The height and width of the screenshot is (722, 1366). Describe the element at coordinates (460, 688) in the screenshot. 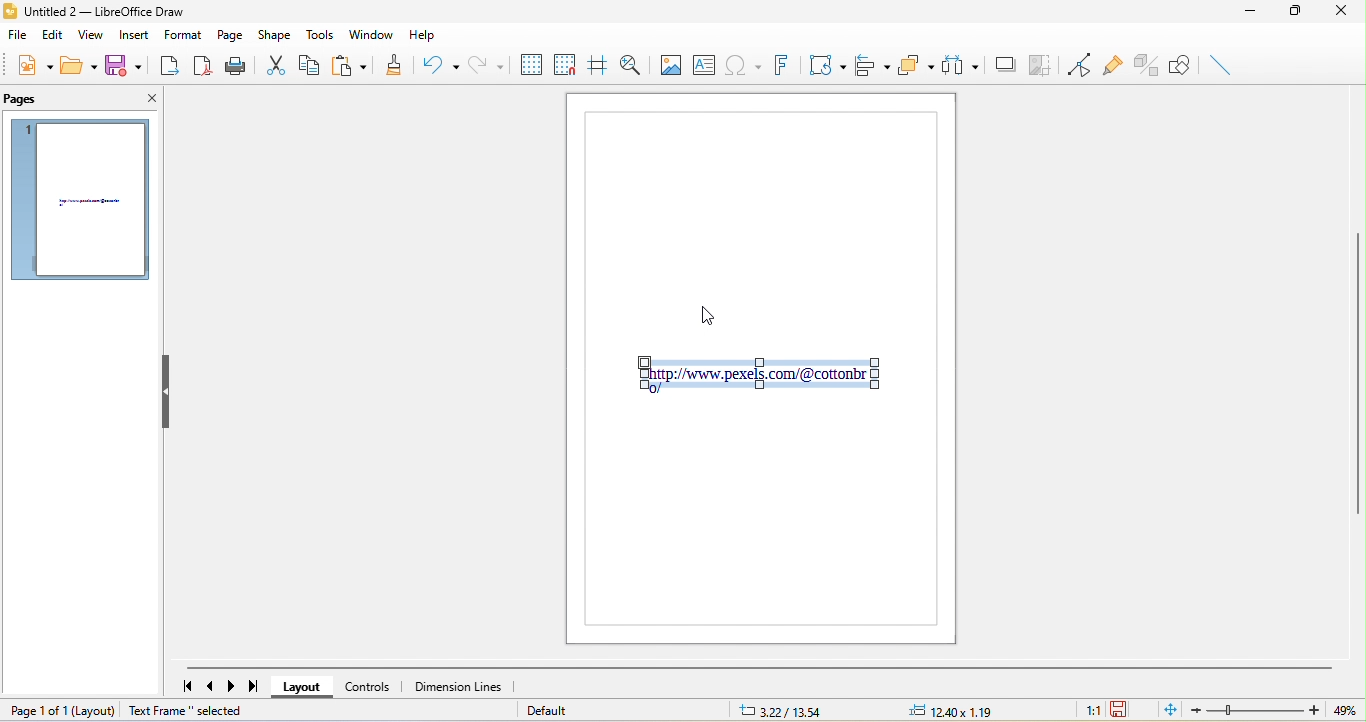

I see `dimension line` at that location.